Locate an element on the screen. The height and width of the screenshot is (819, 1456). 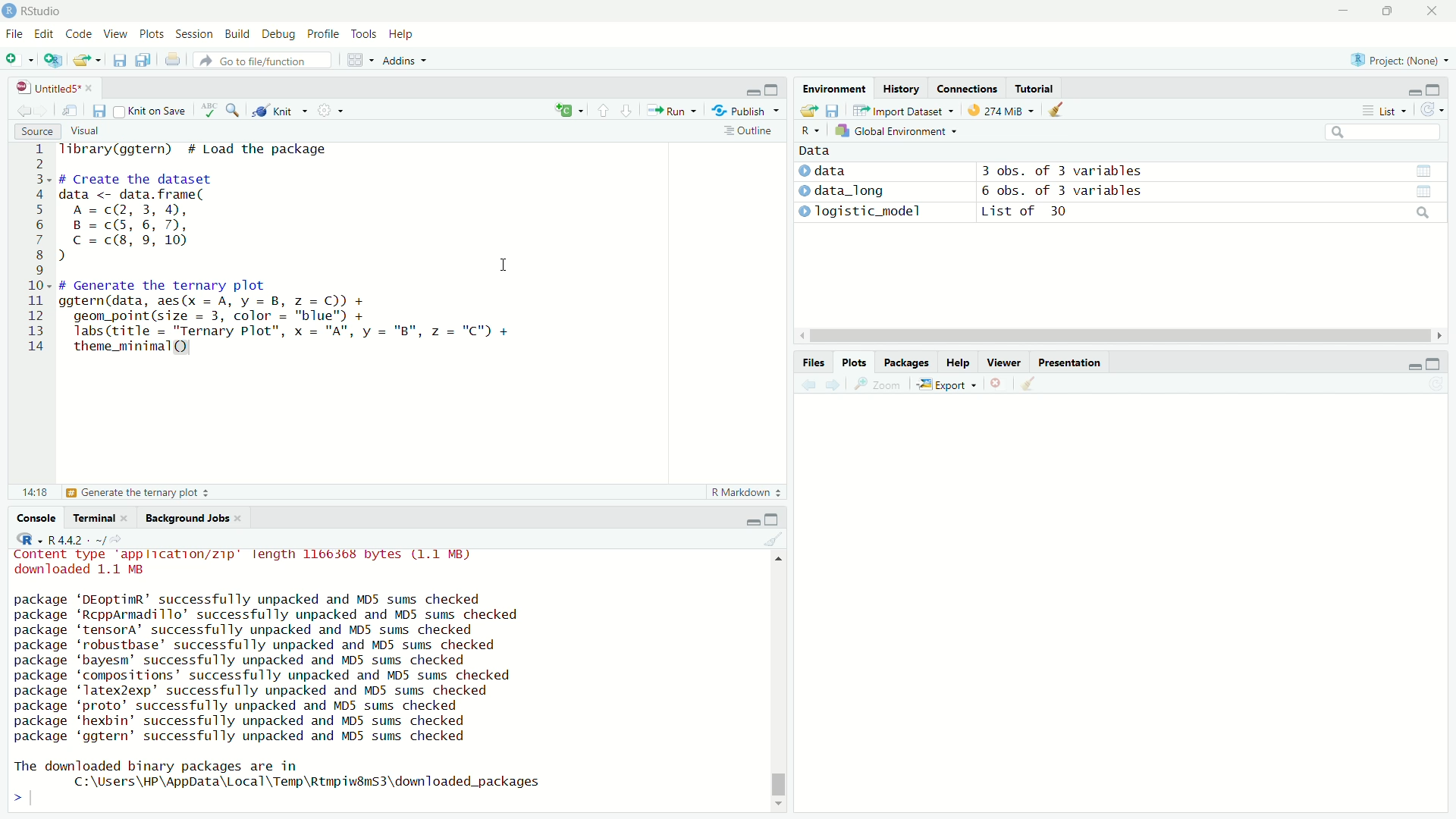
Session is located at coordinates (193, 36).